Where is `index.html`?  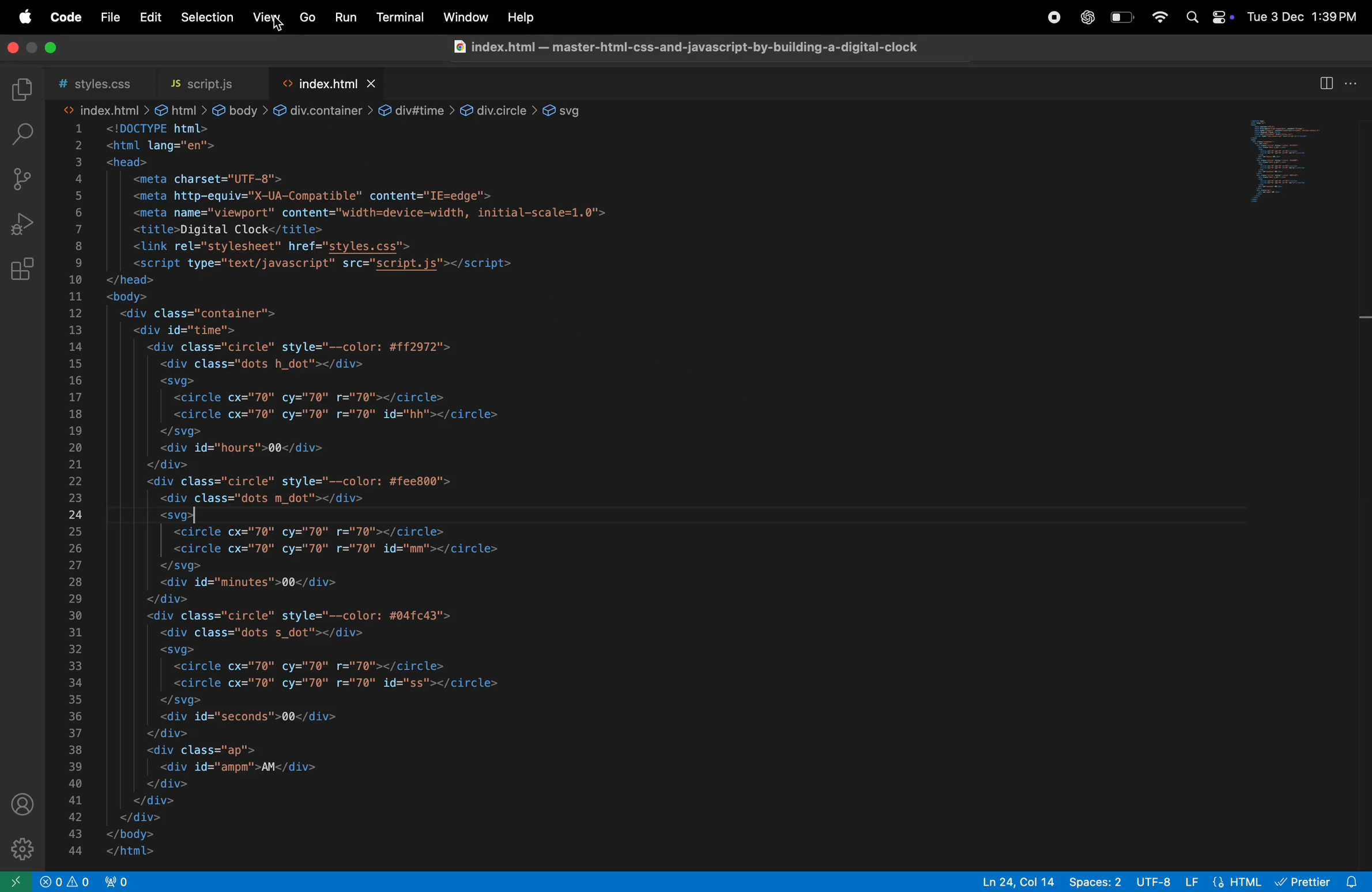
index.html is located at coordinates (104, 108).